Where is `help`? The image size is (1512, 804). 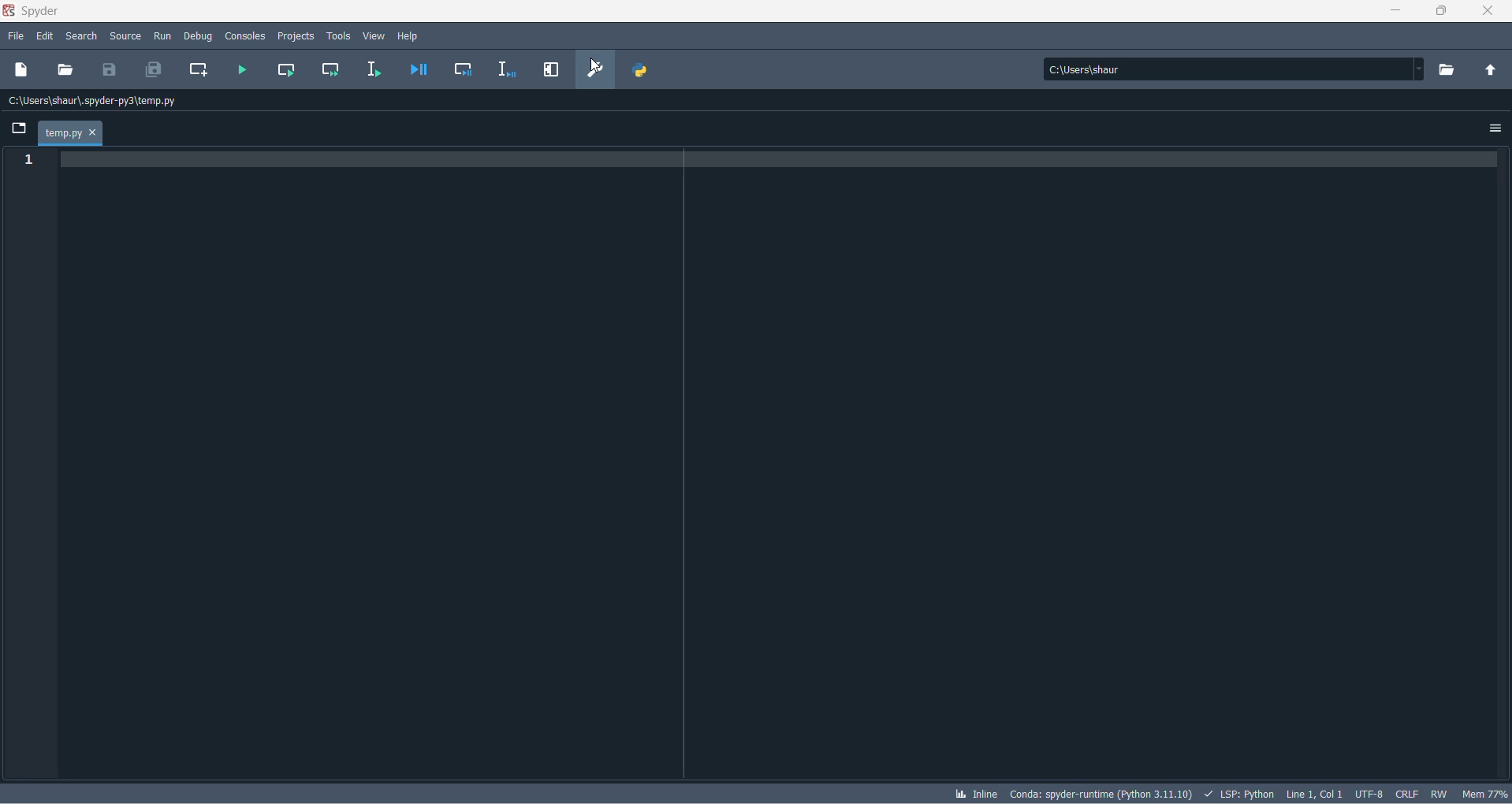 help is located at coordinates (412, 35).